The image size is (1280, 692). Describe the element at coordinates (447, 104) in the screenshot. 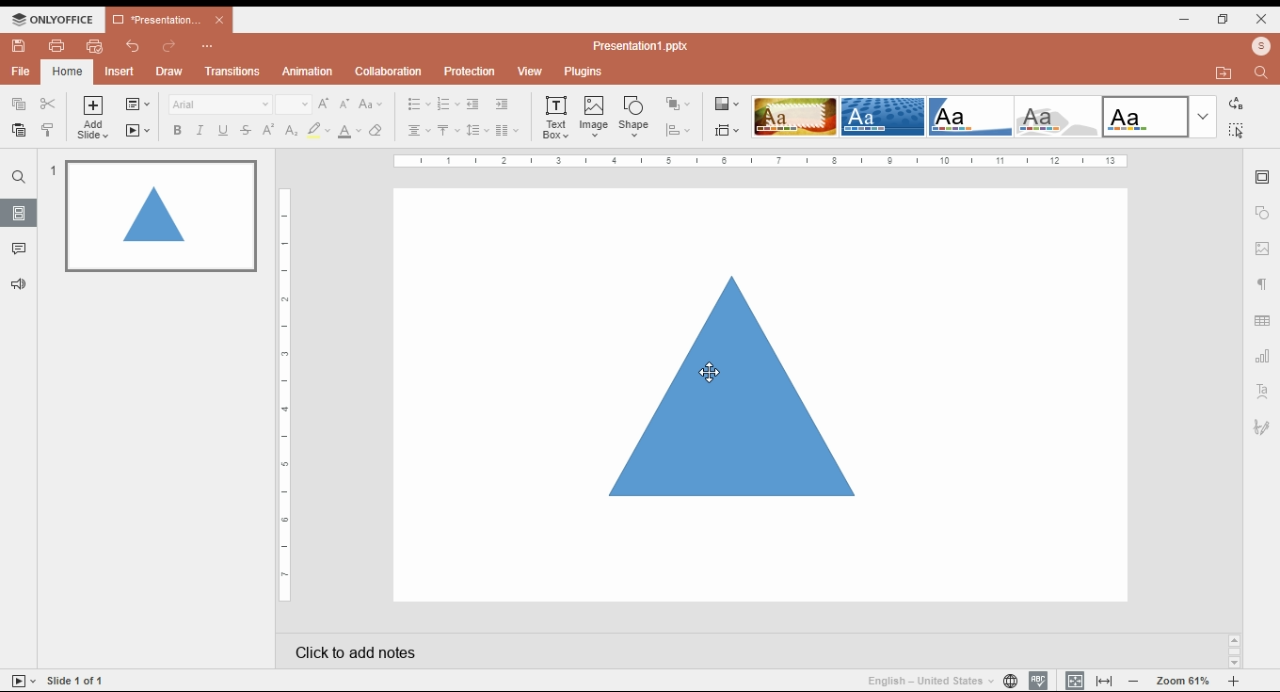

I see `numbering` at that location.